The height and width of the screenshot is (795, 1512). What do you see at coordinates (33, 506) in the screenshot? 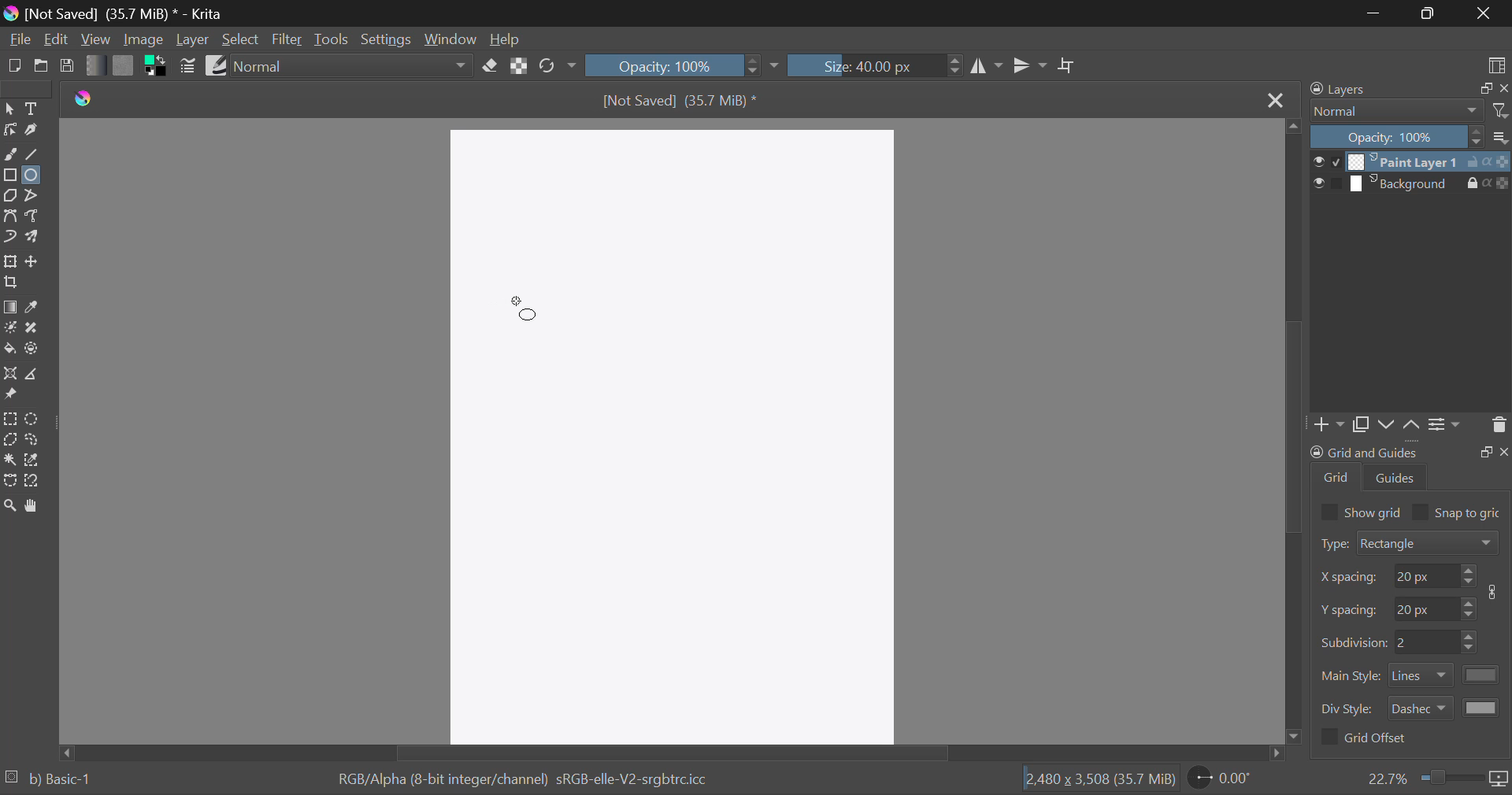
I see `Pan` at bounding box center [33, 506].